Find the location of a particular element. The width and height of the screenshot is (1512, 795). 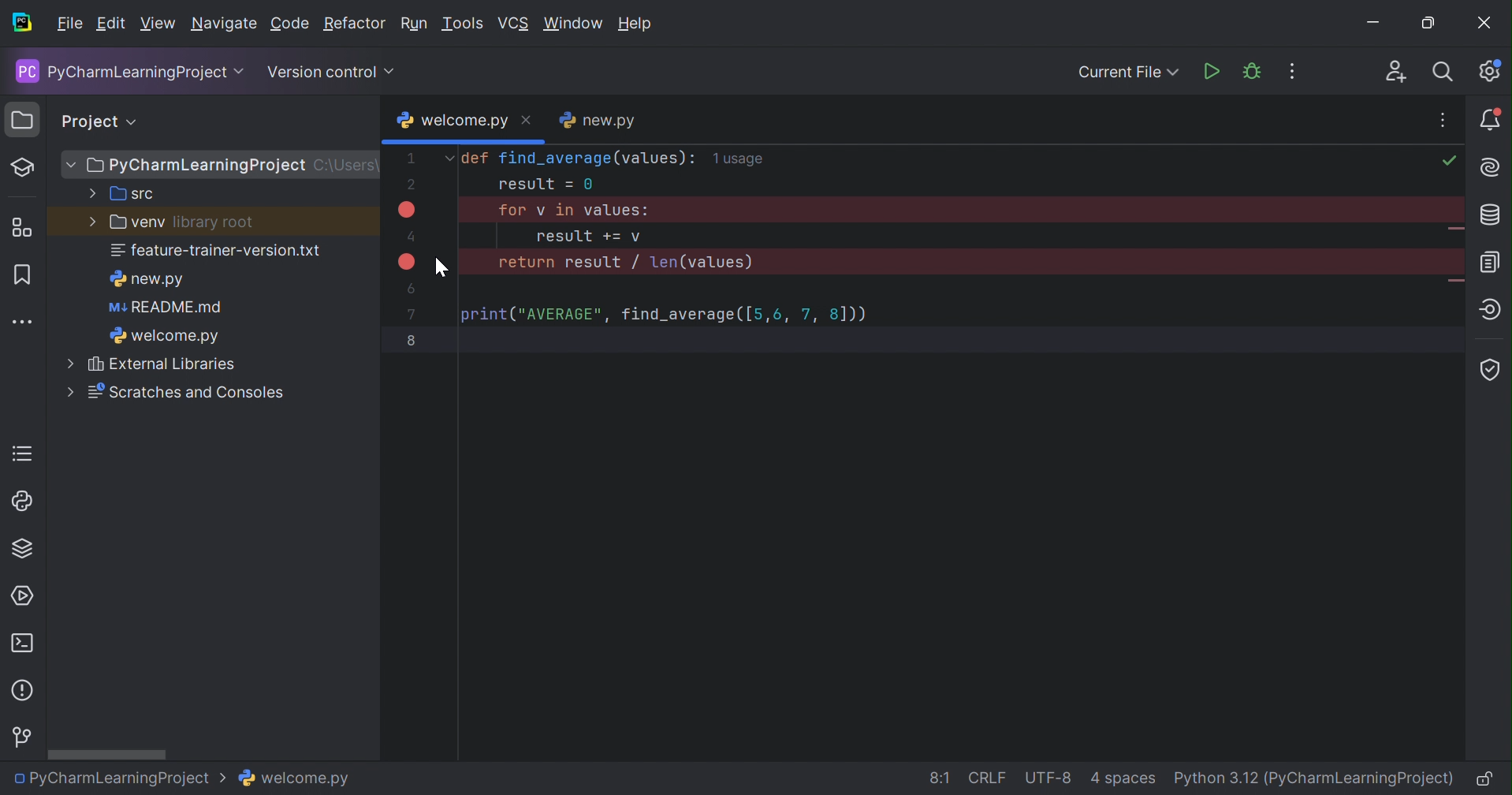

Breakpoint is located at coordinates (404, 261).